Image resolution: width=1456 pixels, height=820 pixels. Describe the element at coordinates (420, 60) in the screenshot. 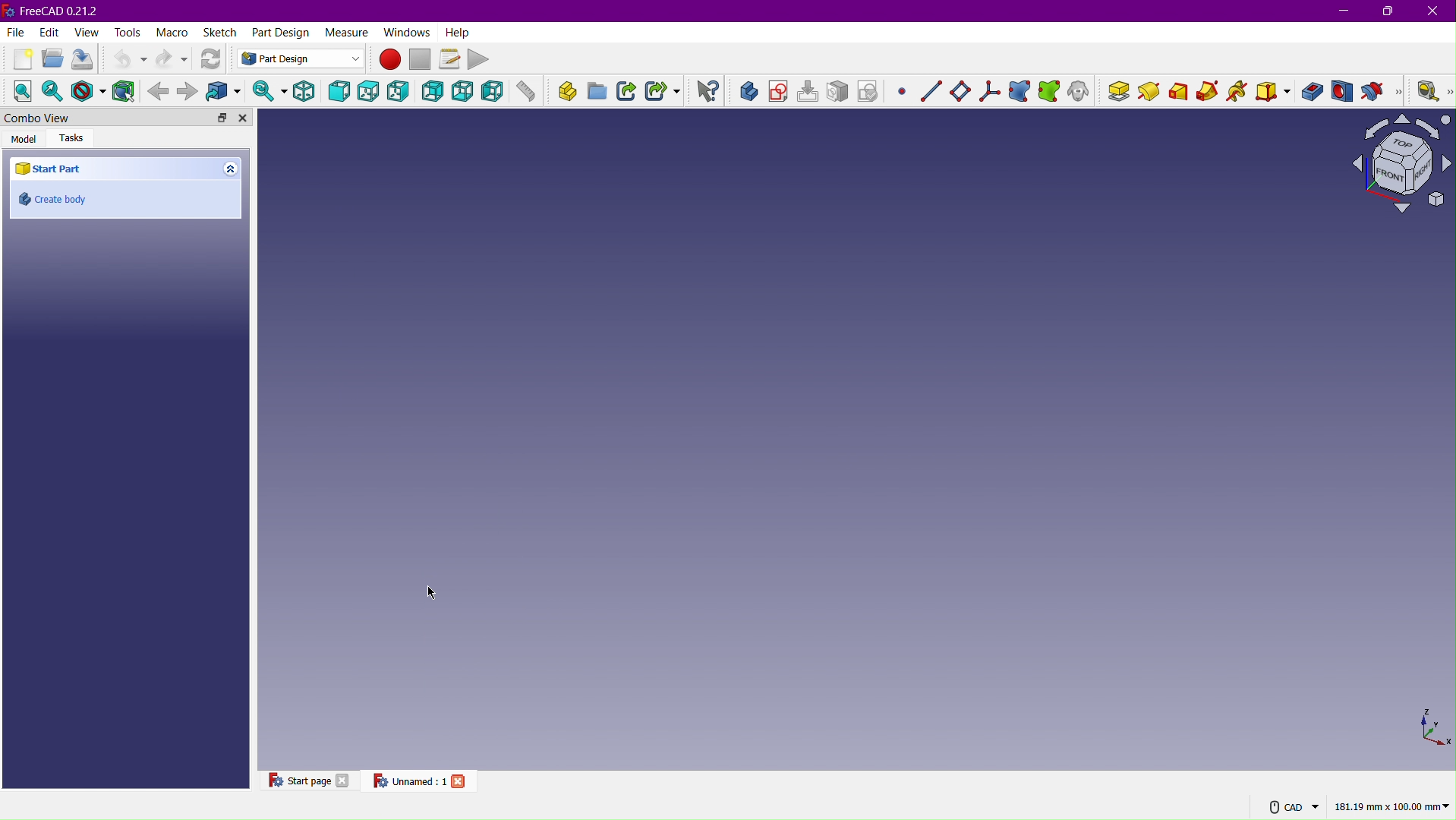

I see `Stop macro recording` at that location.